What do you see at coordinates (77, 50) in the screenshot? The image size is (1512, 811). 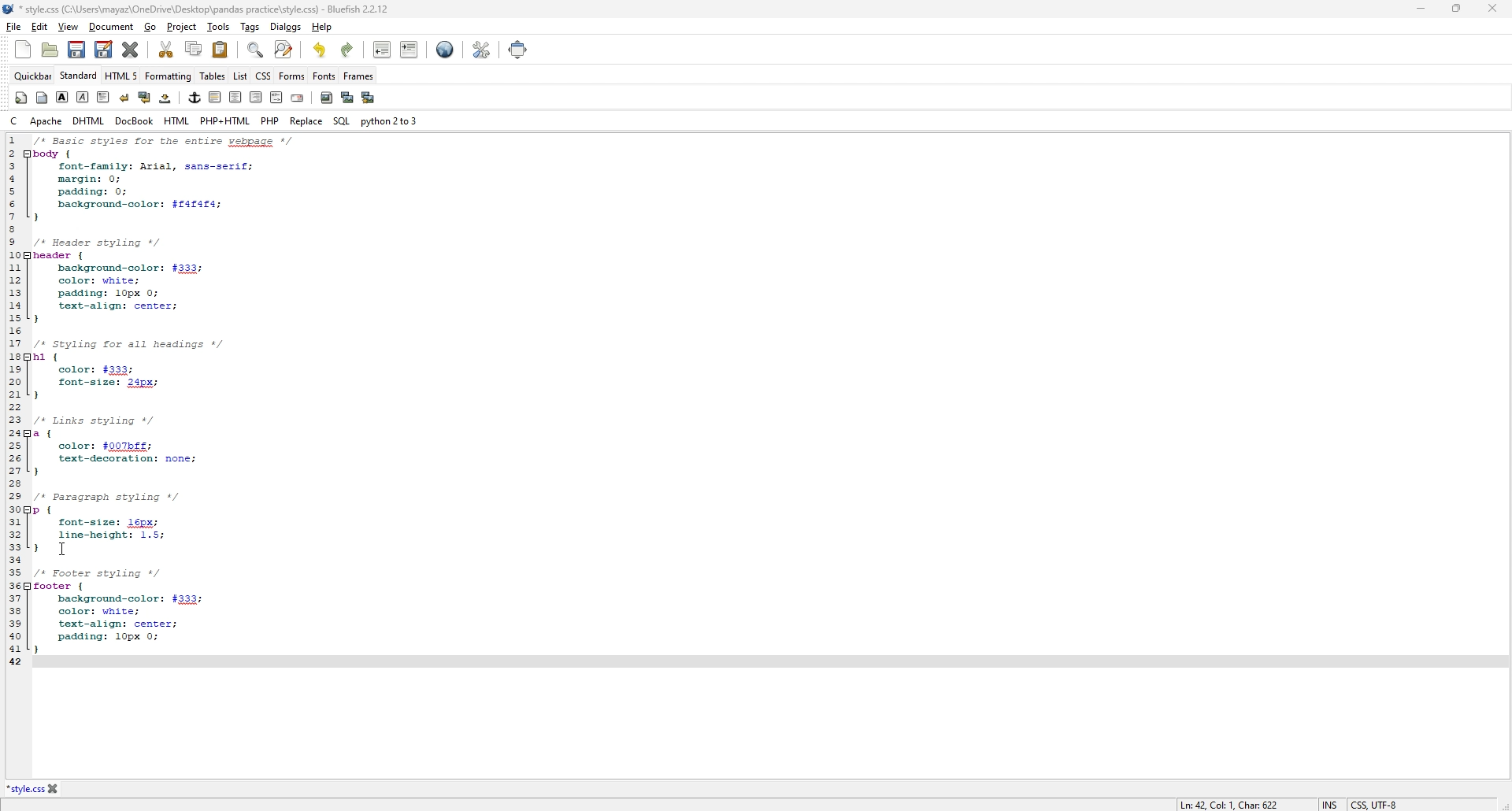 I see `save` at bounding box center [77, 50].